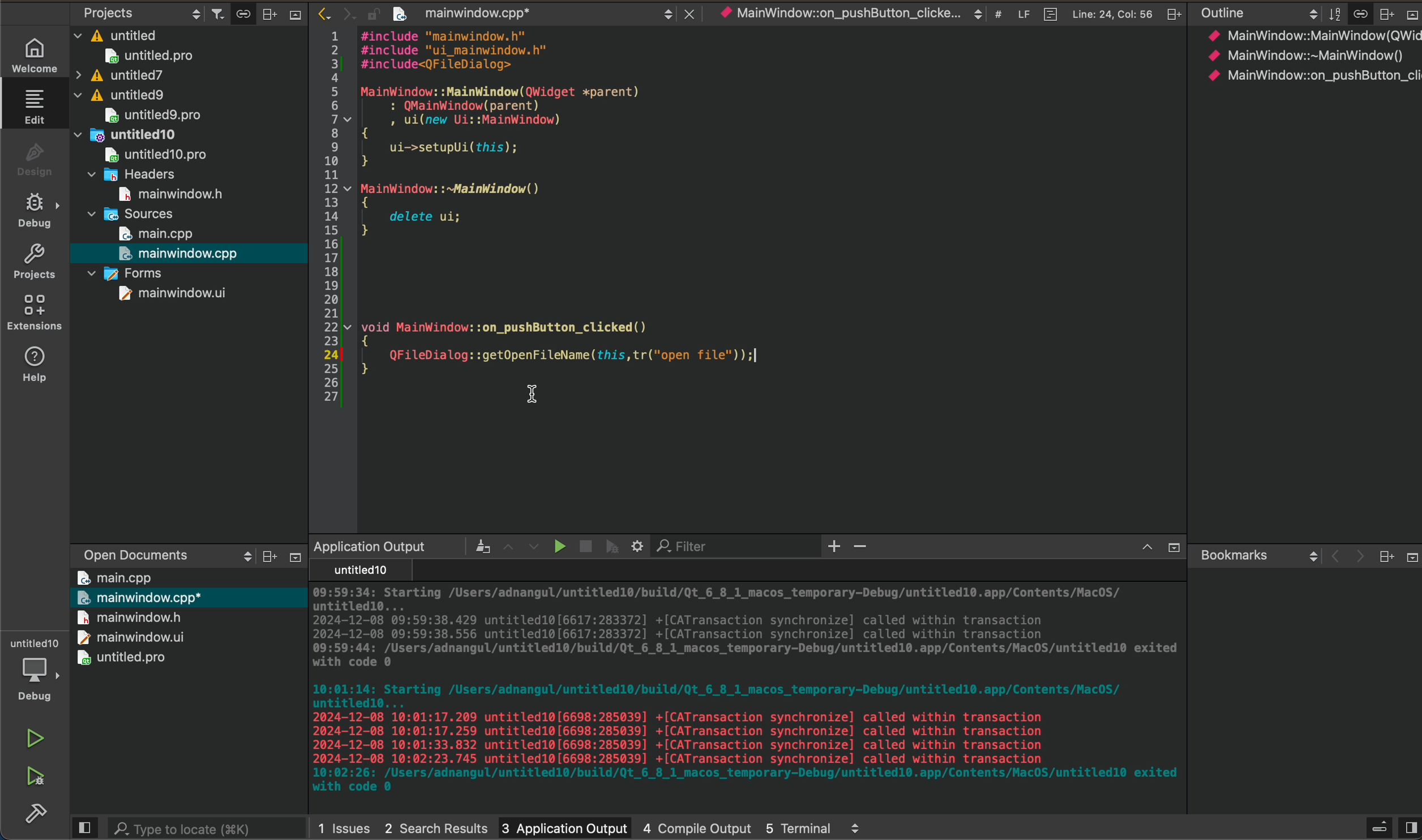 The width and height of the screenshot is (1422, 840). What do you see at coordinates (1256, 554) in the screenshot?
I see `Bookmarks dropdown` at bounding box center [1256, 554].